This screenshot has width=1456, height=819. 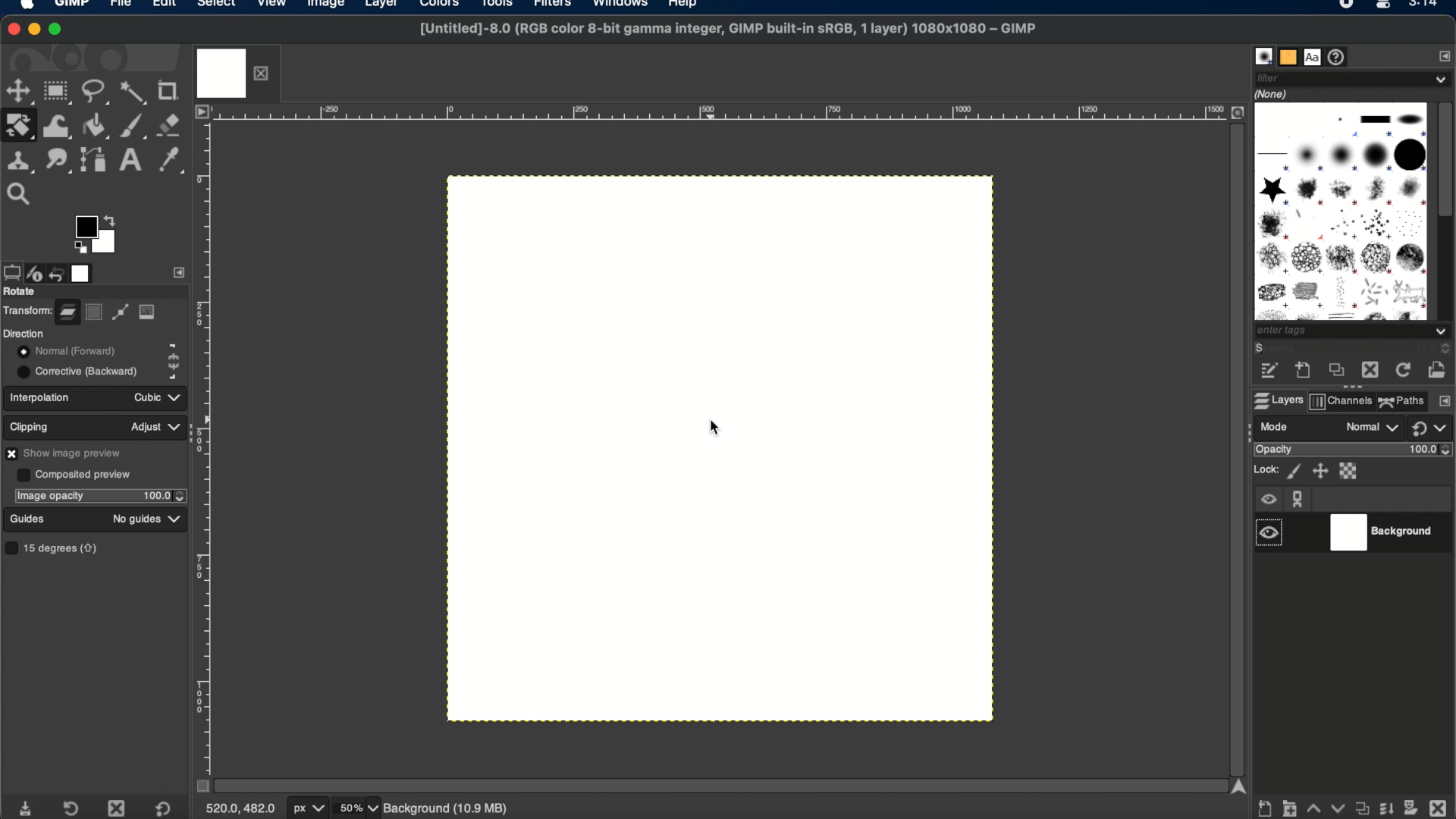 What do you see at coordinates (1340, 211) in the screenshot?
I see `brush types` at bounding box center [1340, 211].